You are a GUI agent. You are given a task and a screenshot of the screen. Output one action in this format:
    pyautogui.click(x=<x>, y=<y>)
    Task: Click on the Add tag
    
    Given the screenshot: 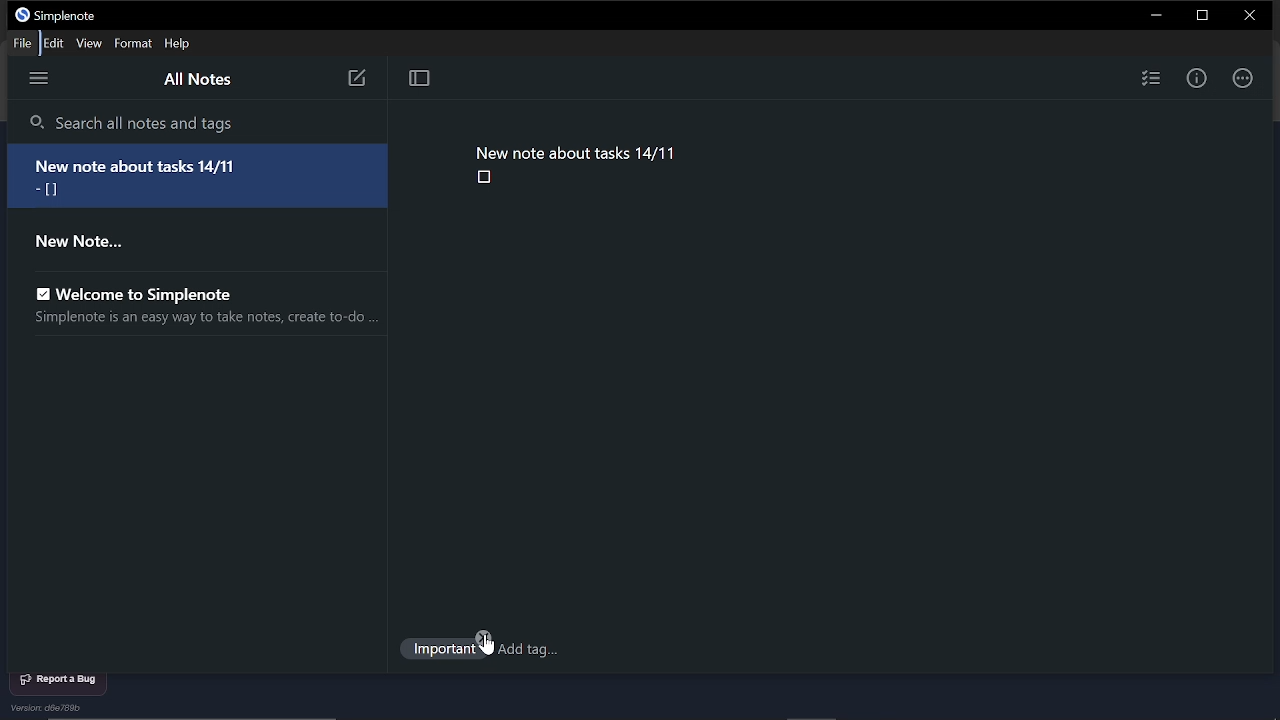 What is the action you would take?
    pyautogui.click(x=533, y=651)
    